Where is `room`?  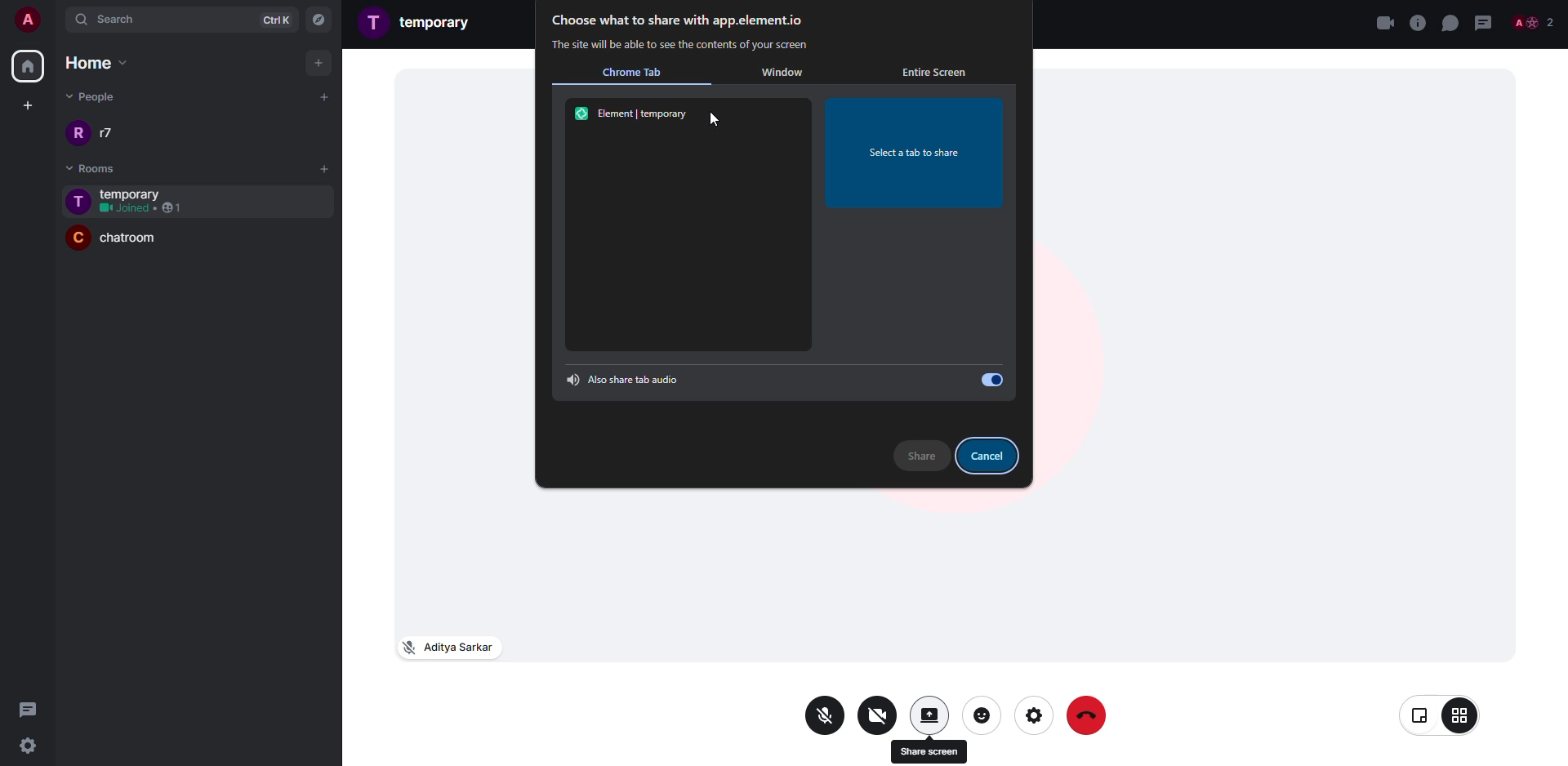 room is located at coordinates (439, 21).